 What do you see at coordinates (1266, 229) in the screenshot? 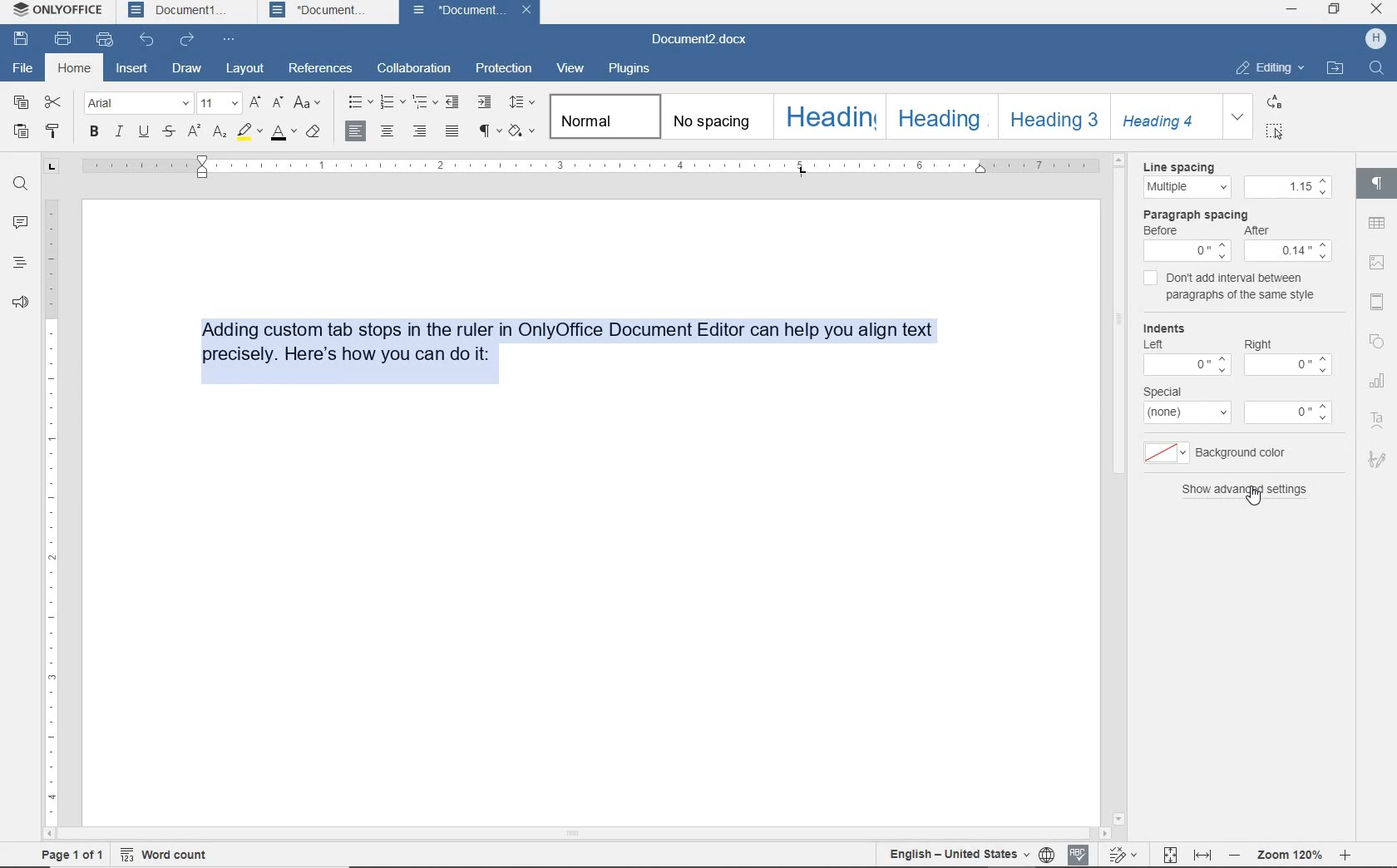
I see `after` at bounding box center [1266, 229].